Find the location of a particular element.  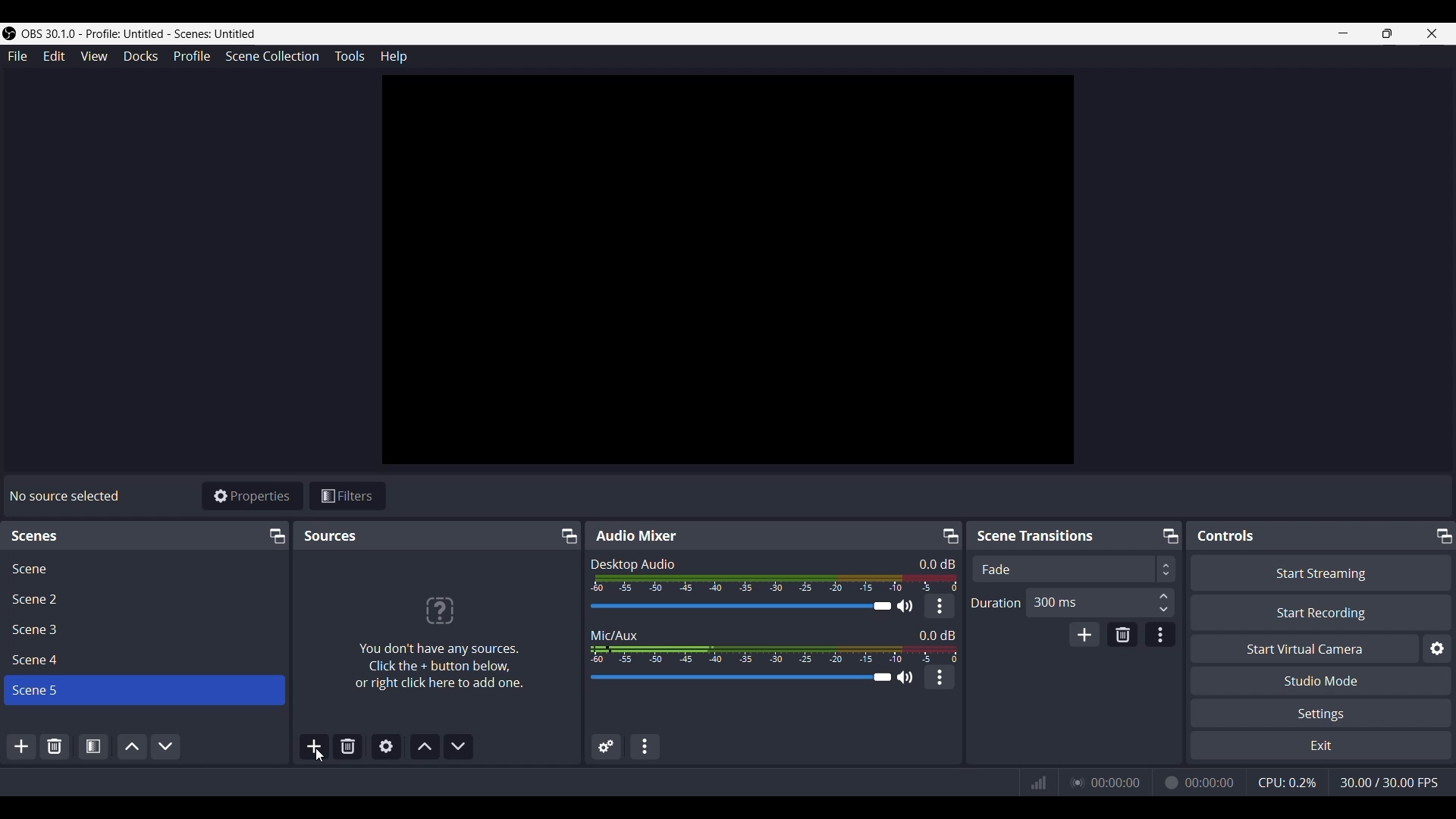

300 ms is located at coordinates (1102, 601).